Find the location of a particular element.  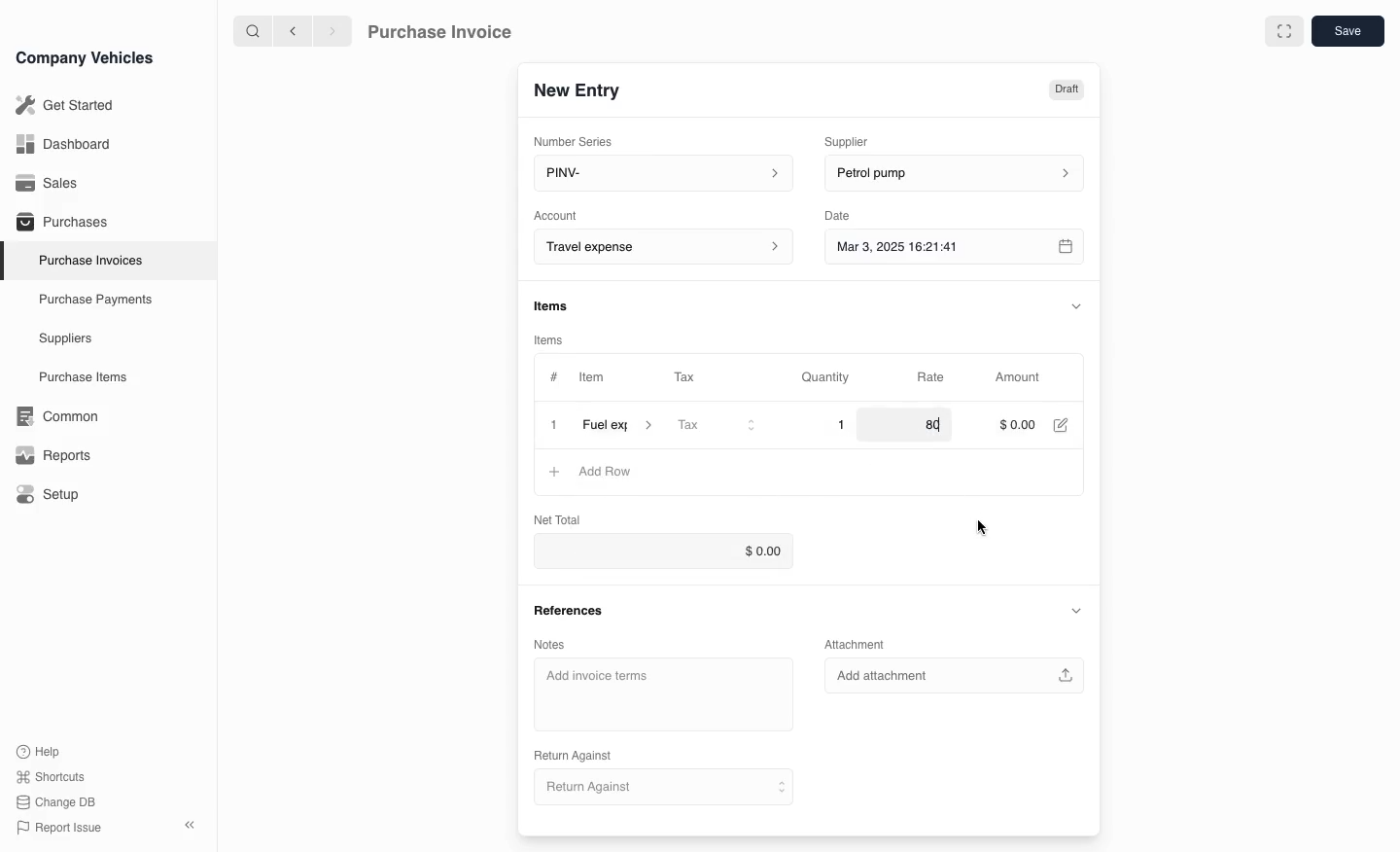

Return Against is located at coordinates (660, 788).